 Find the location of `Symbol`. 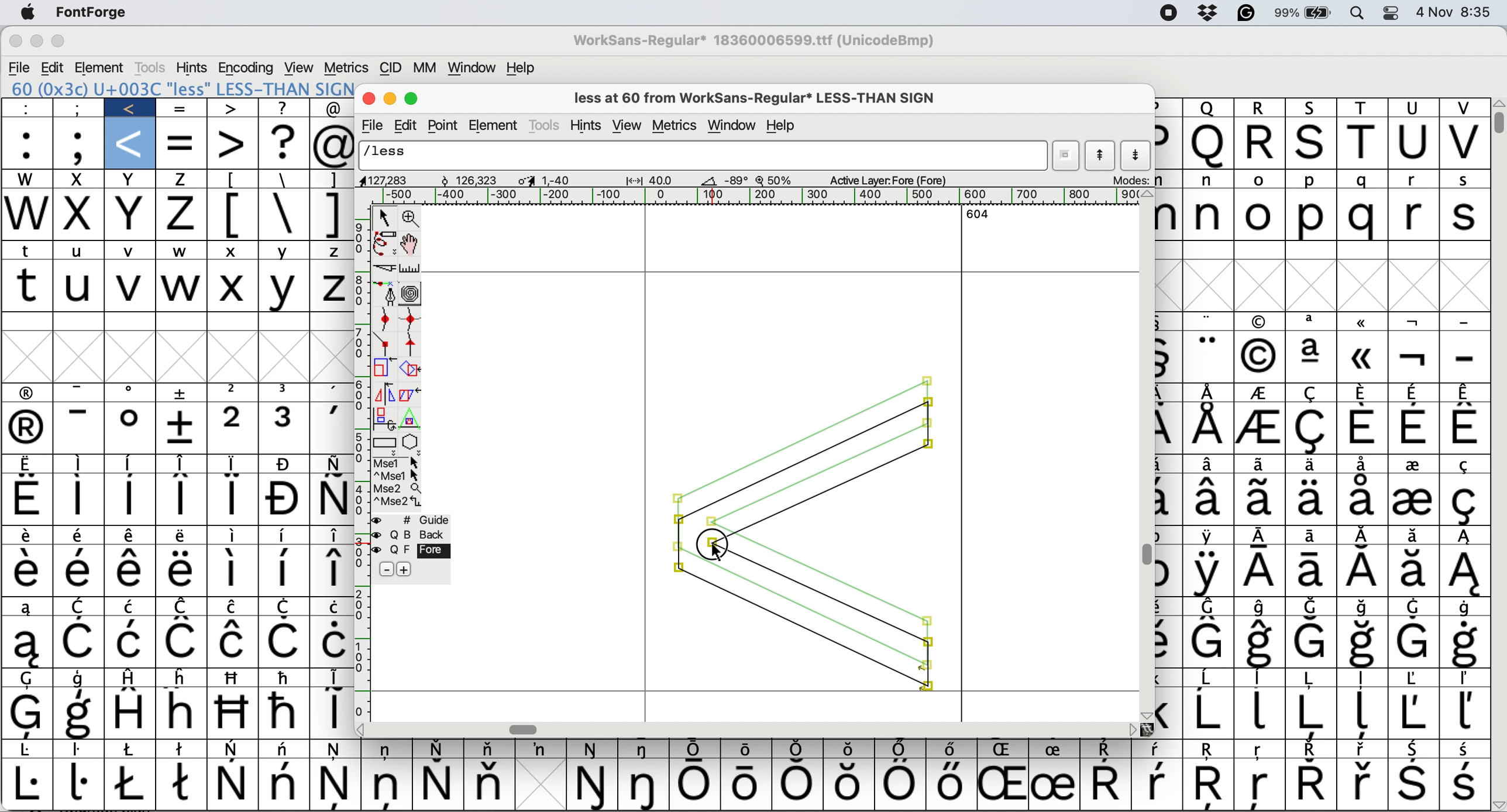

Symbol is located at coordinates (29, 430).